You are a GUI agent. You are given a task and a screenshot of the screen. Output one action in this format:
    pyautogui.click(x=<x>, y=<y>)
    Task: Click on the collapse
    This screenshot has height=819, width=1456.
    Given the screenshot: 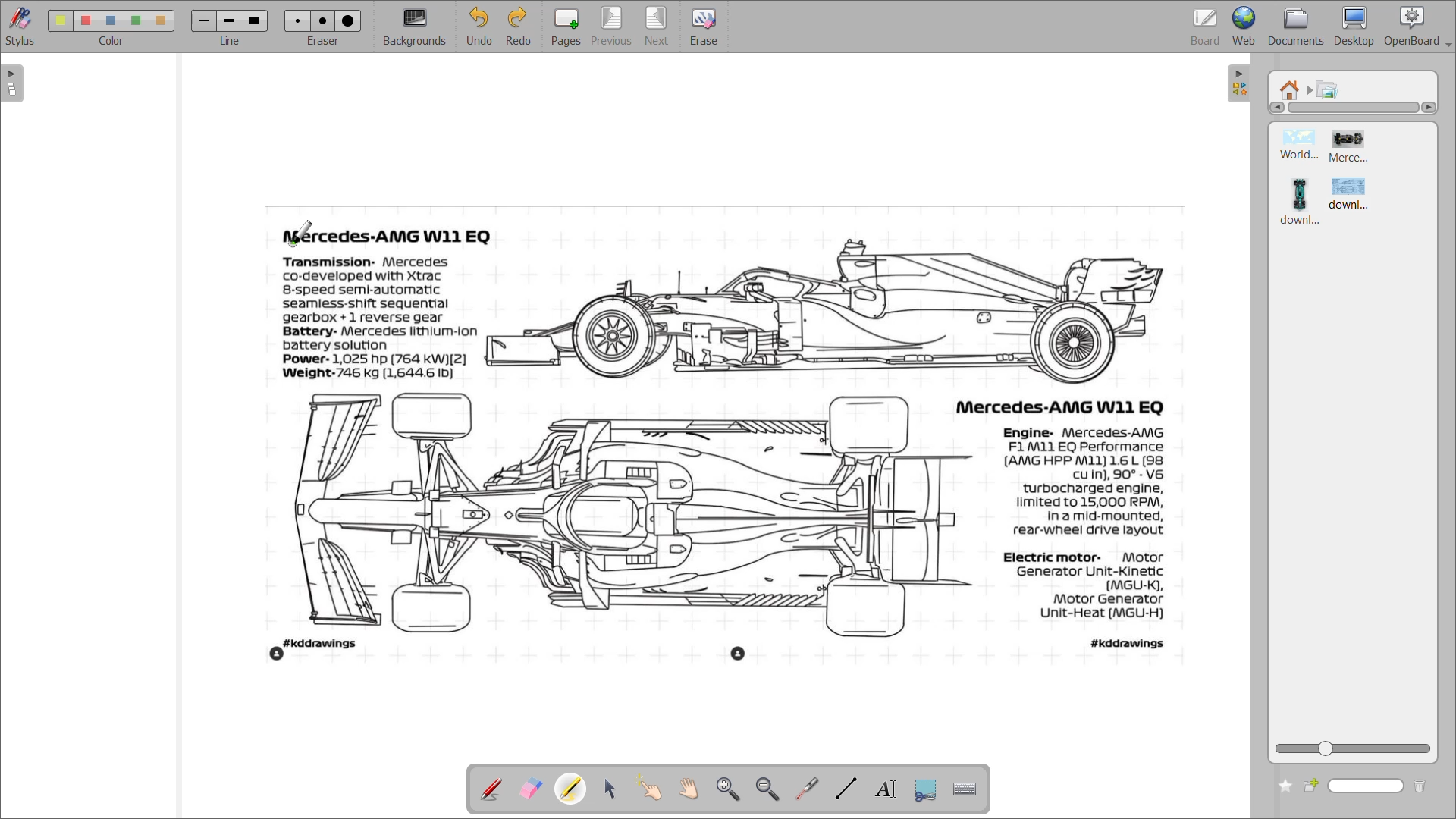 What is the action you would take?
    pyautogui.click(x=1238, y=84)
    